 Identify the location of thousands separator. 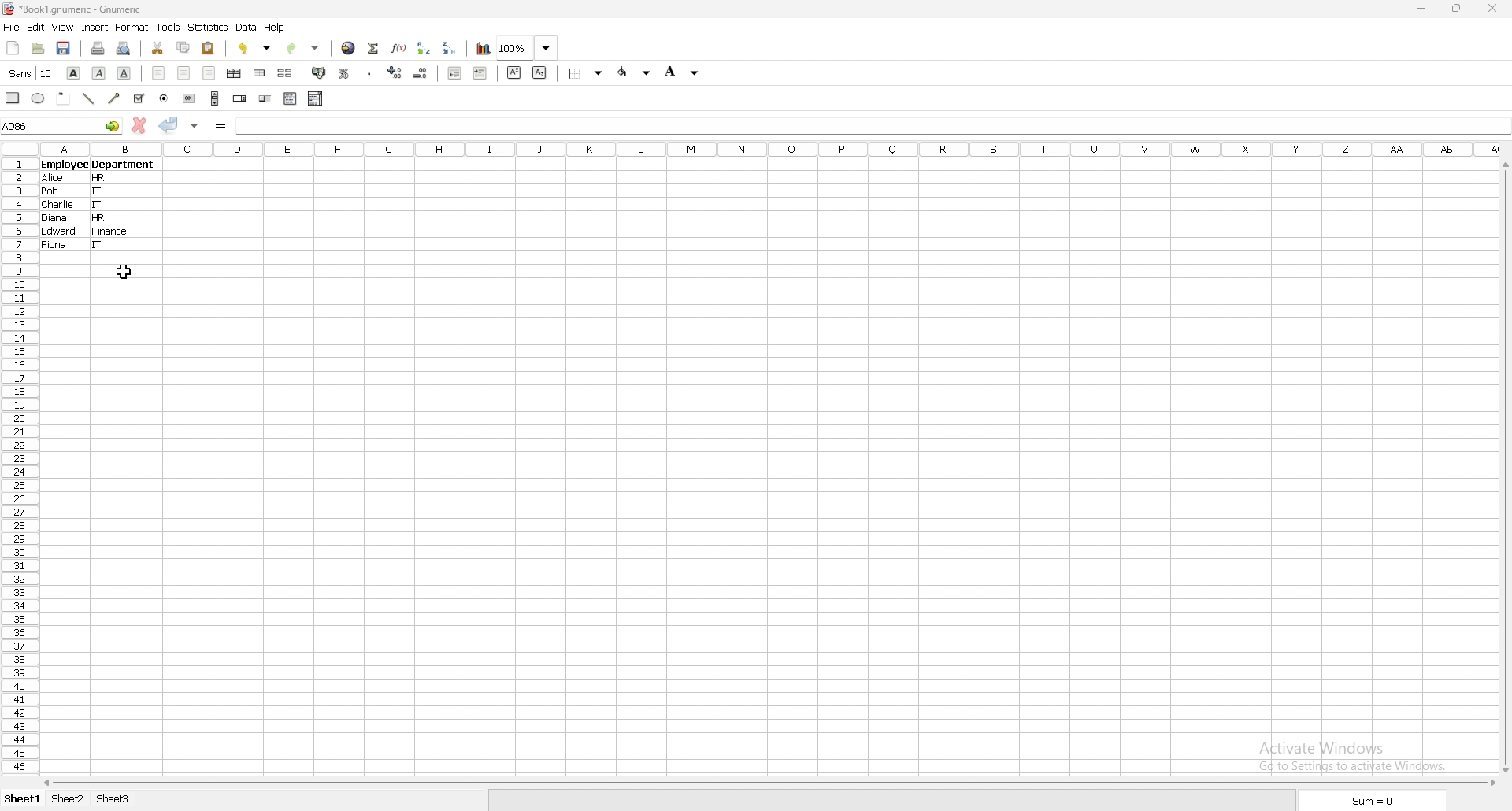
(369, 72).